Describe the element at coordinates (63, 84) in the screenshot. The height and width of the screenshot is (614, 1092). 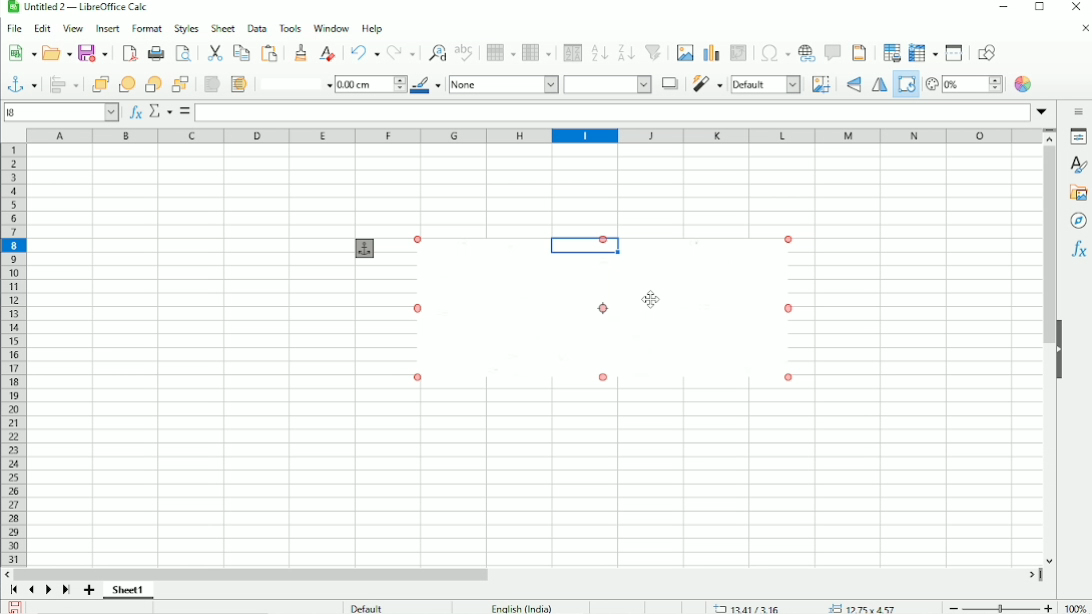
I see `Align objects` at that location.